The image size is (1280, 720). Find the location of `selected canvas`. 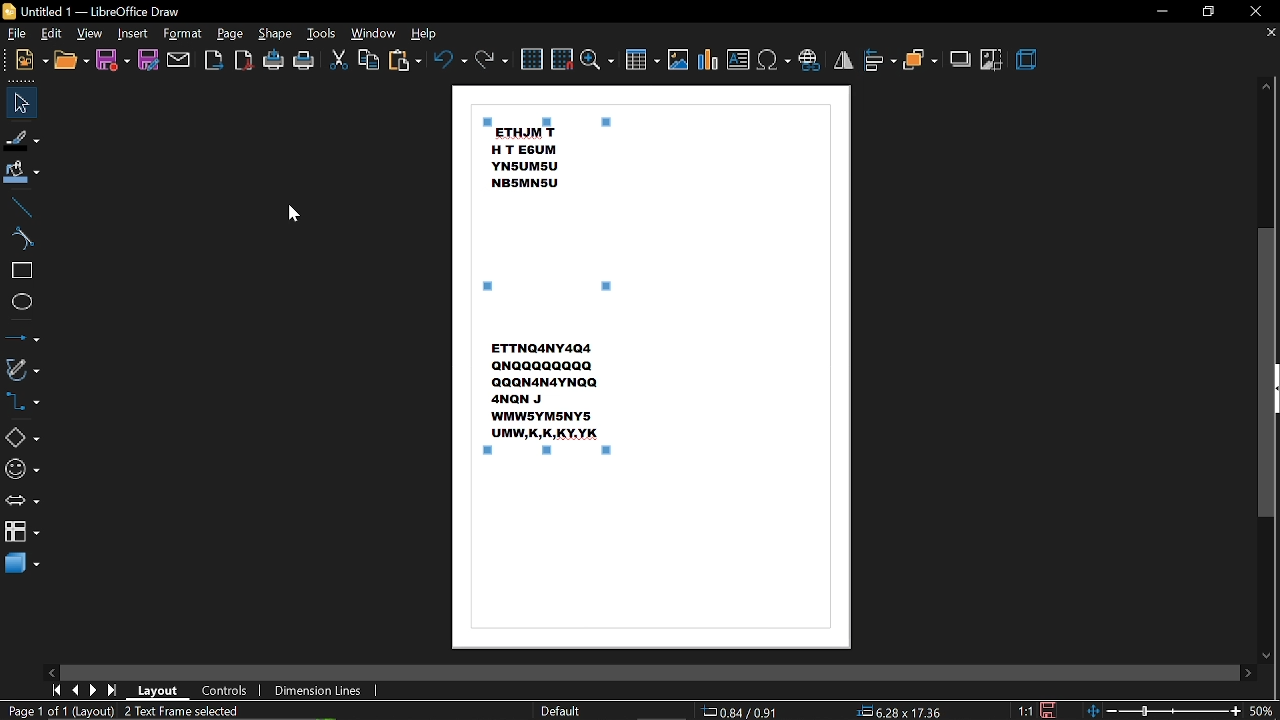

selected canvas is located at coordinates (622, 291).